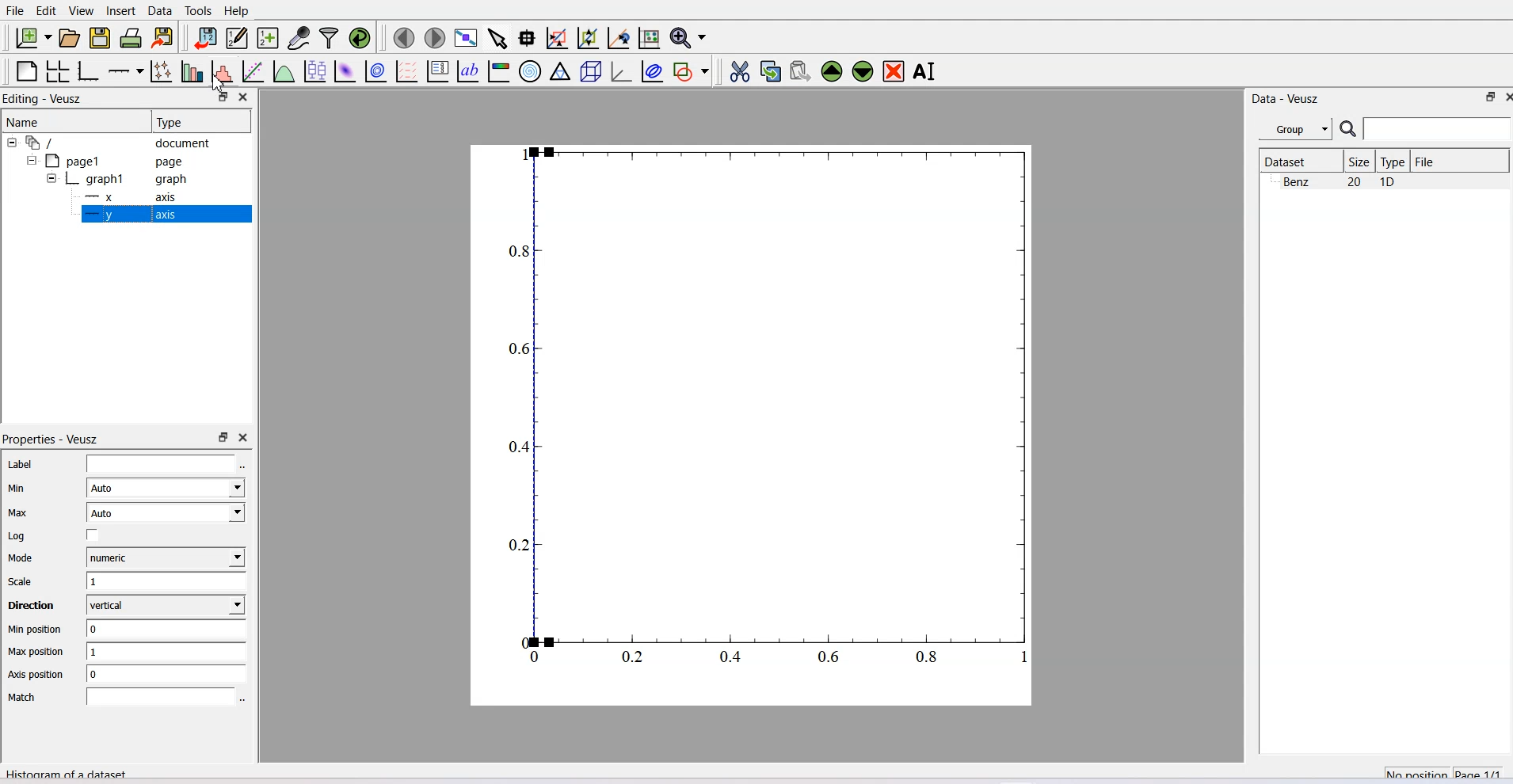  What do you see at coordinates (47, 11) in the screenshot?
I see `Edit` at bounding box center [47, 11].